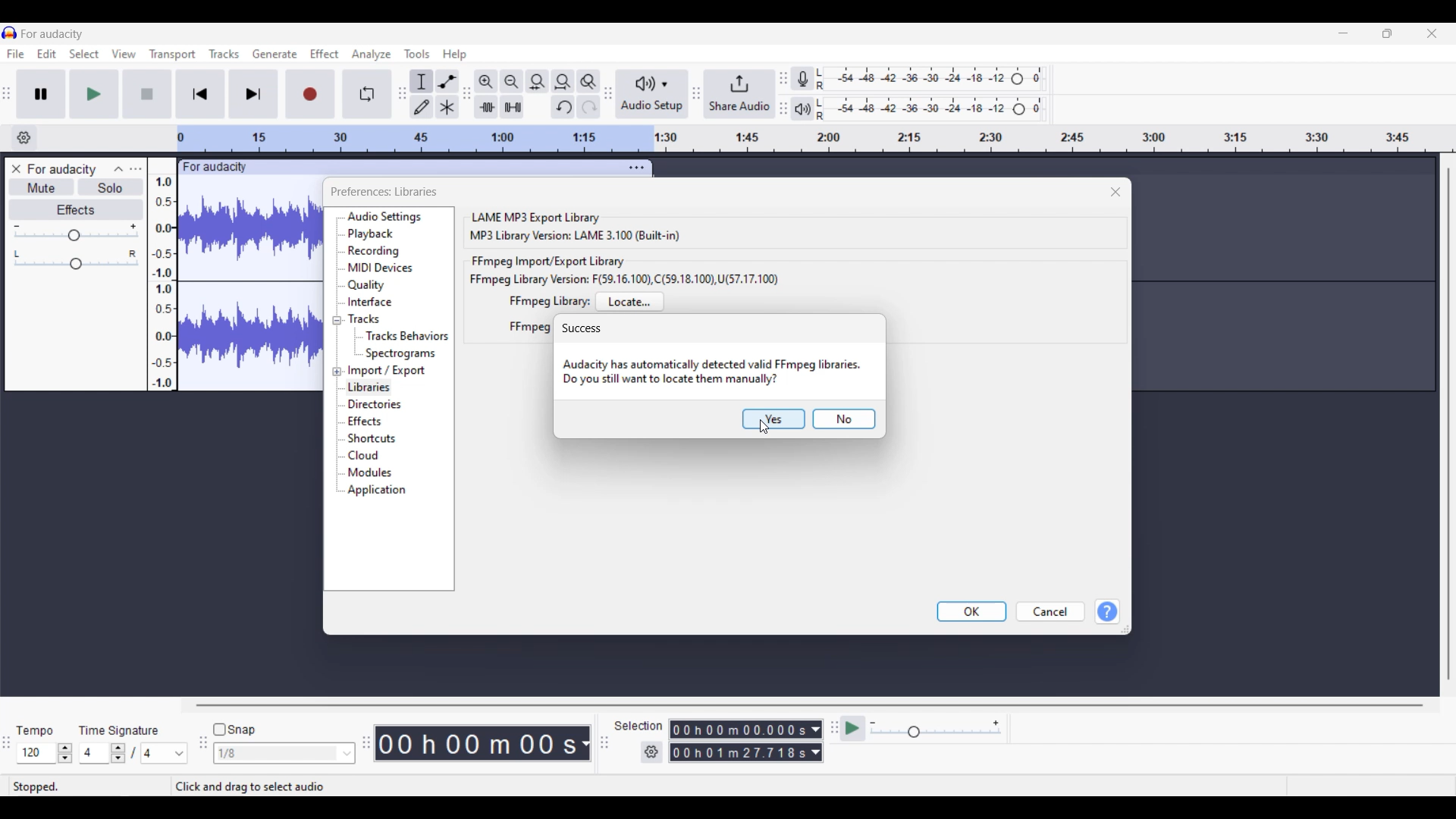 This screenshot has width=1456, height=819. I want to click on Playback speed settings, so click(937, 728).